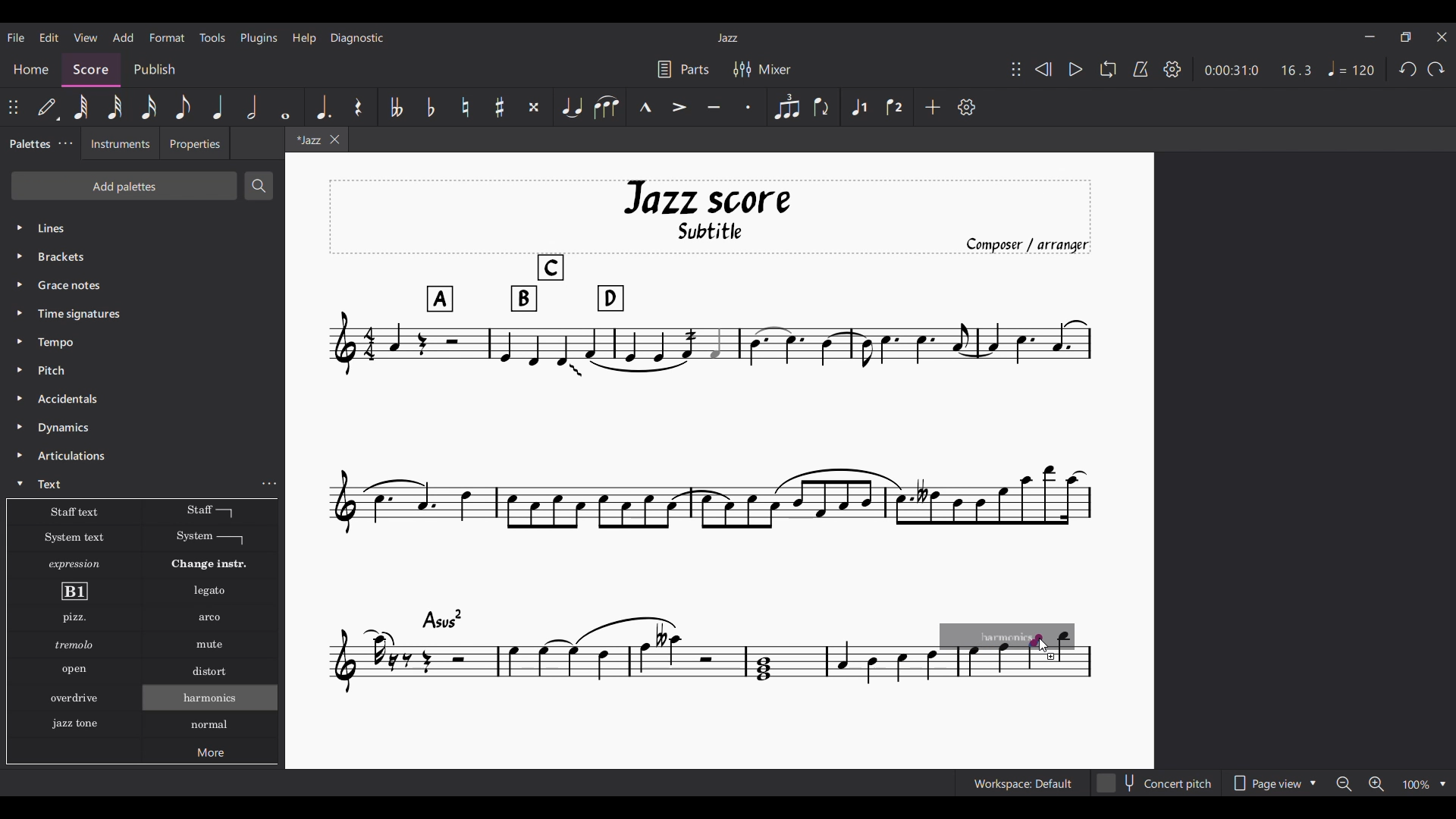 The width and height of the screenshot is (1456, 819). What do you see at coordinates (534, 106) in the screenshot?
I see `Toggle double sharp` at bounding box center [534, 106].